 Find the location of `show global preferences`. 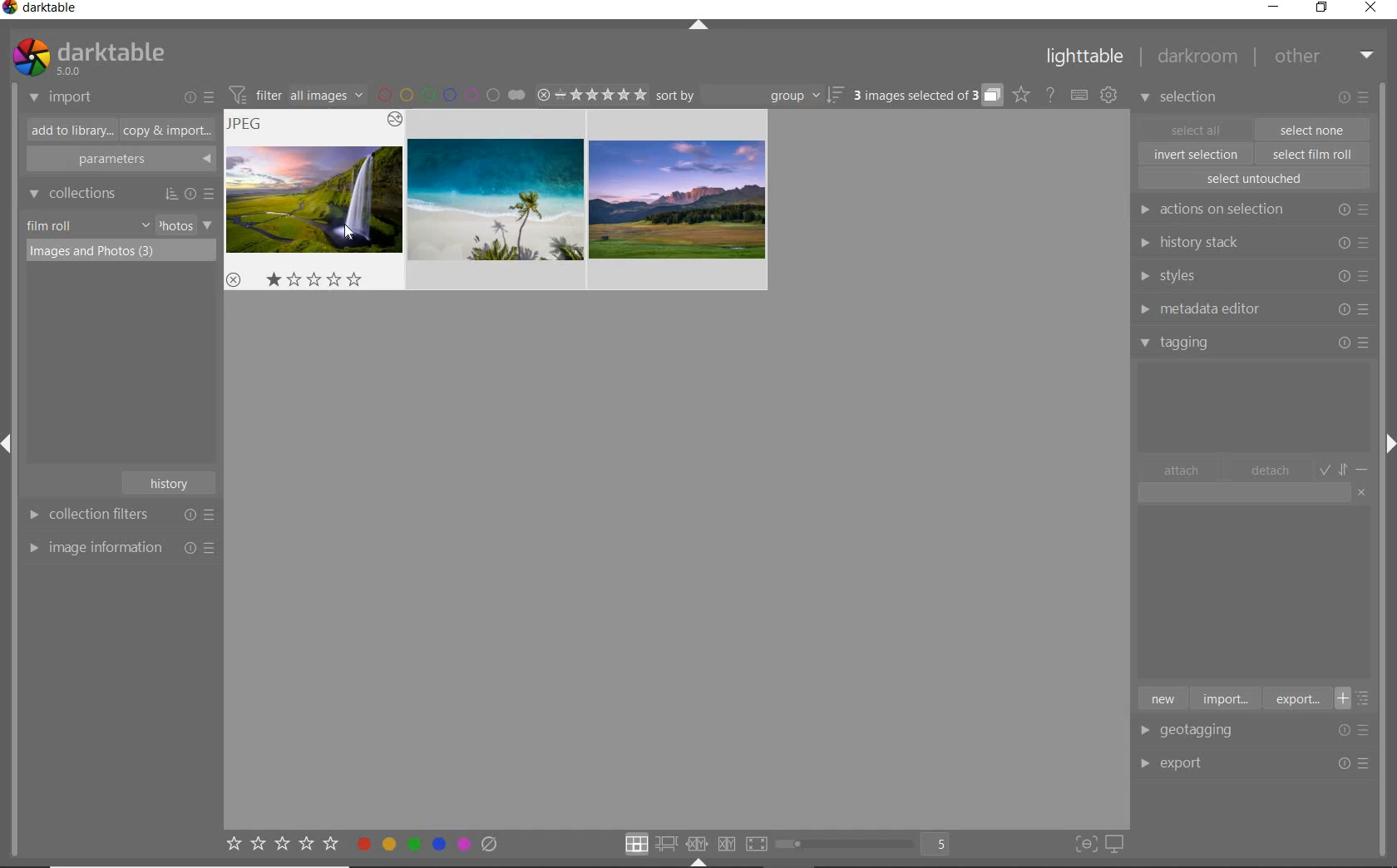

show global preferences is located at coordinates (1108, 96).